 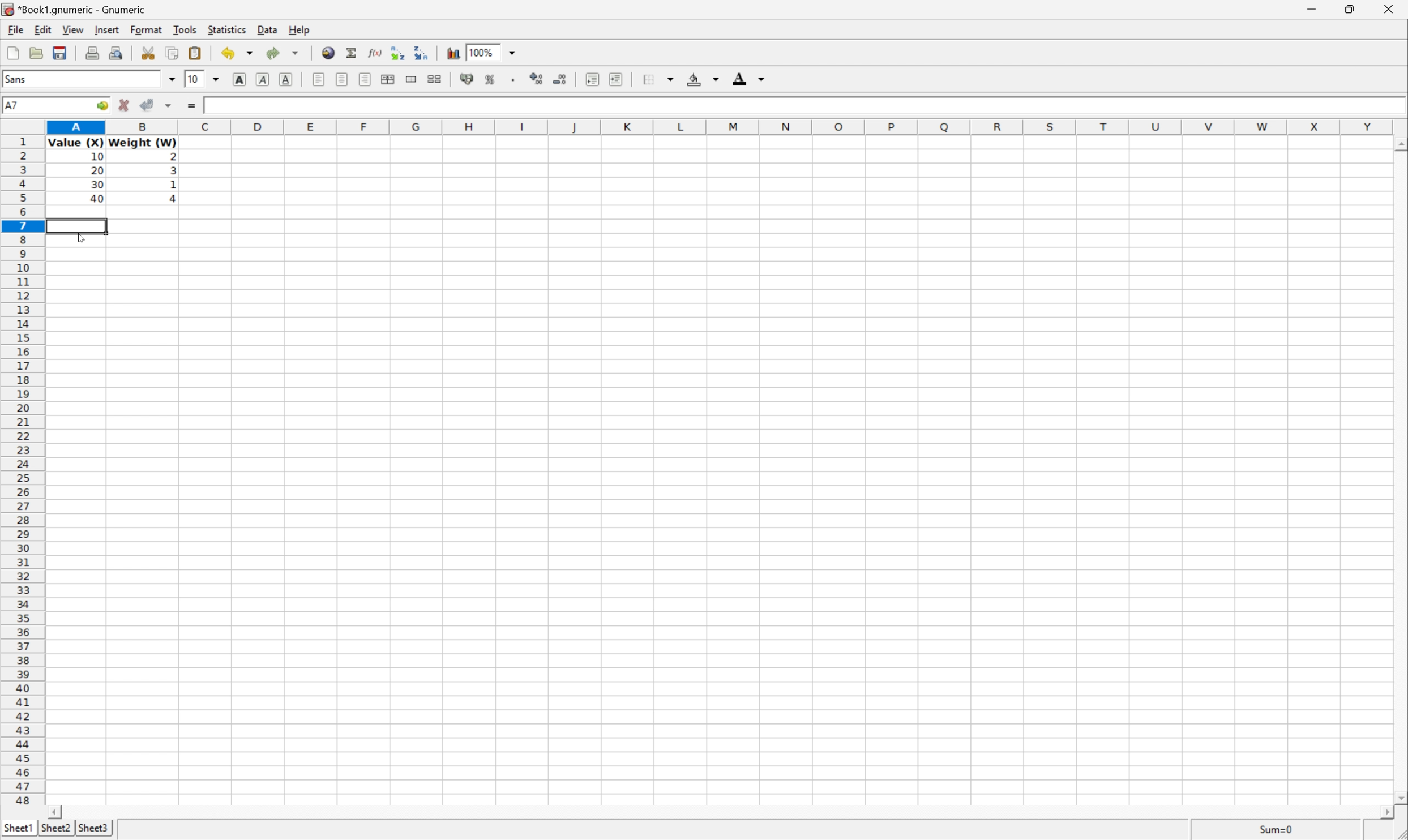 I want to click on Help, so click(x=298, y=28).